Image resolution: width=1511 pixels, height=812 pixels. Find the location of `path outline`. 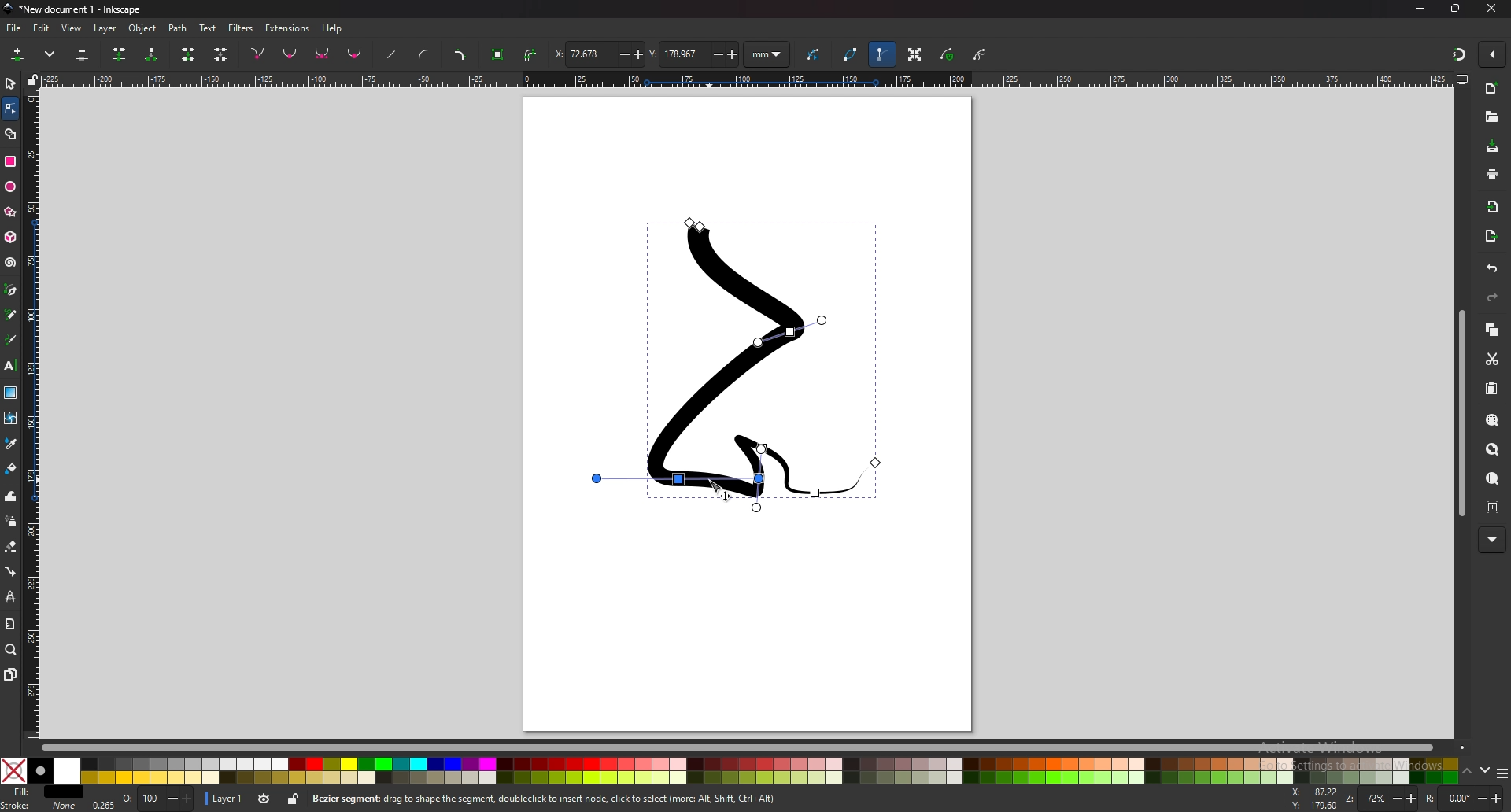

path outline is located at coordinates (852, 54).